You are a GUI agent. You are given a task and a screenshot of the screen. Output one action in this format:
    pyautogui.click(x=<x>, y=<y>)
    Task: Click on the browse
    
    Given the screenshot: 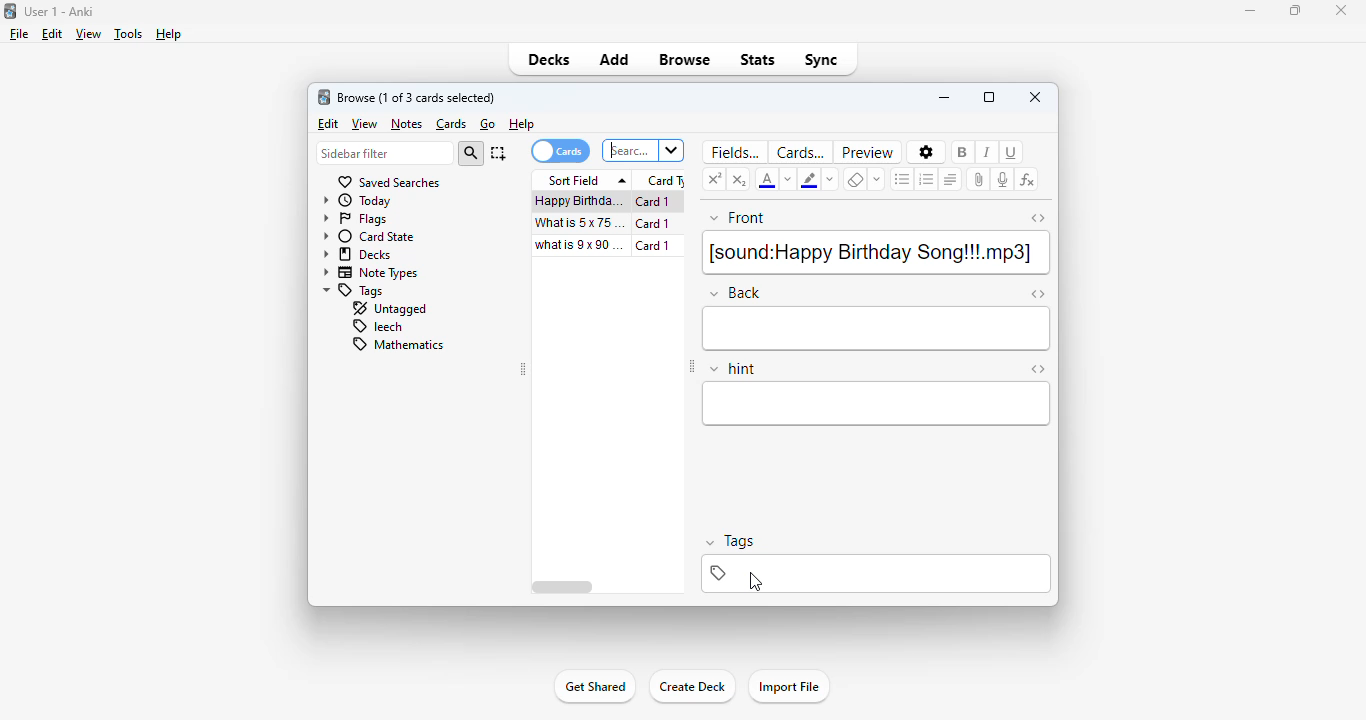 What is the action you would take?
    pyautogui.click(x=684, y=60)
    